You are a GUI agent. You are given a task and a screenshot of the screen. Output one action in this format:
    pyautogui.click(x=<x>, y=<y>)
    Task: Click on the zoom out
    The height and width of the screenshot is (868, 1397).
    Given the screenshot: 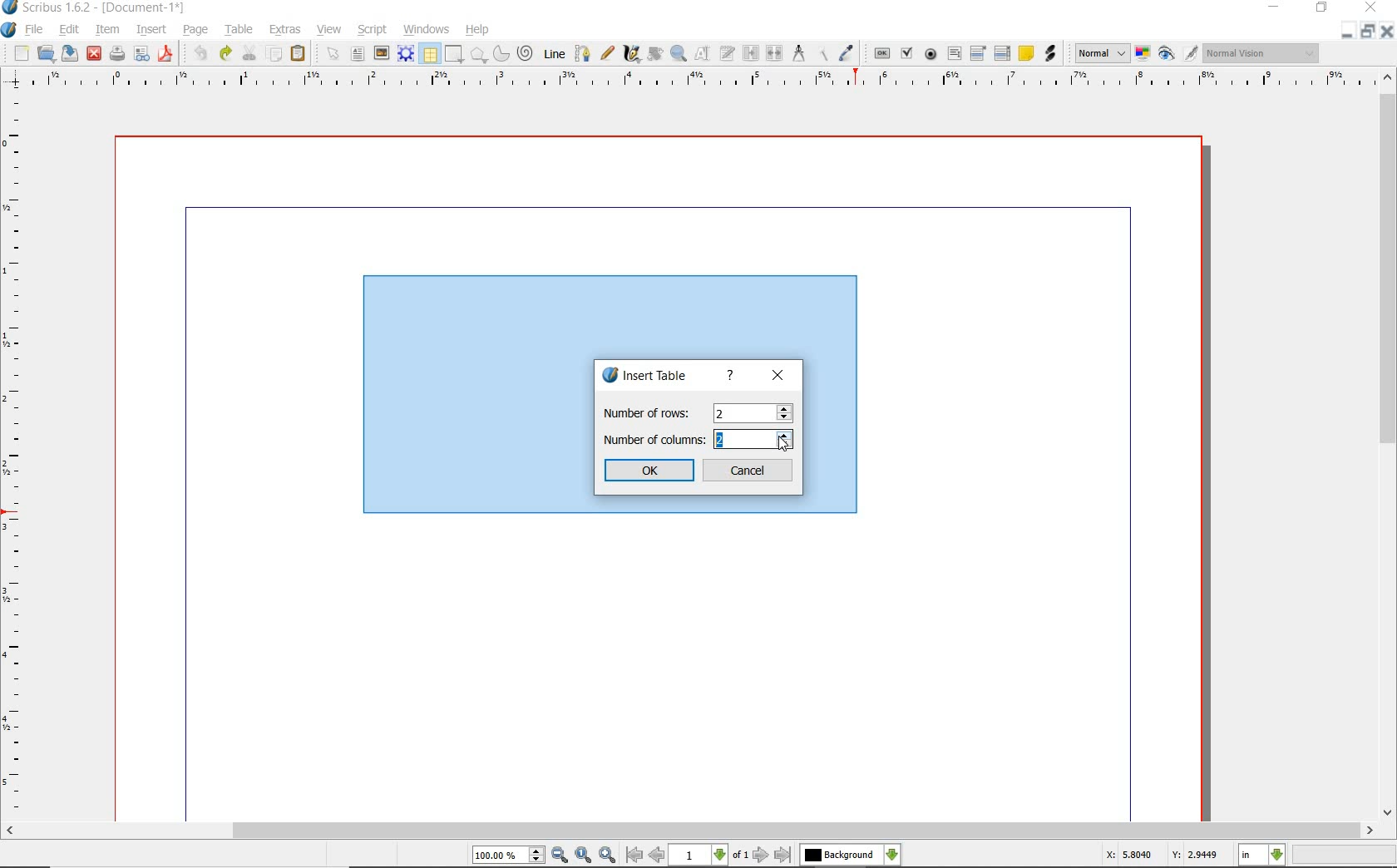 What is the action you would take?
    pyautogui.click(x=560, y=856)
    